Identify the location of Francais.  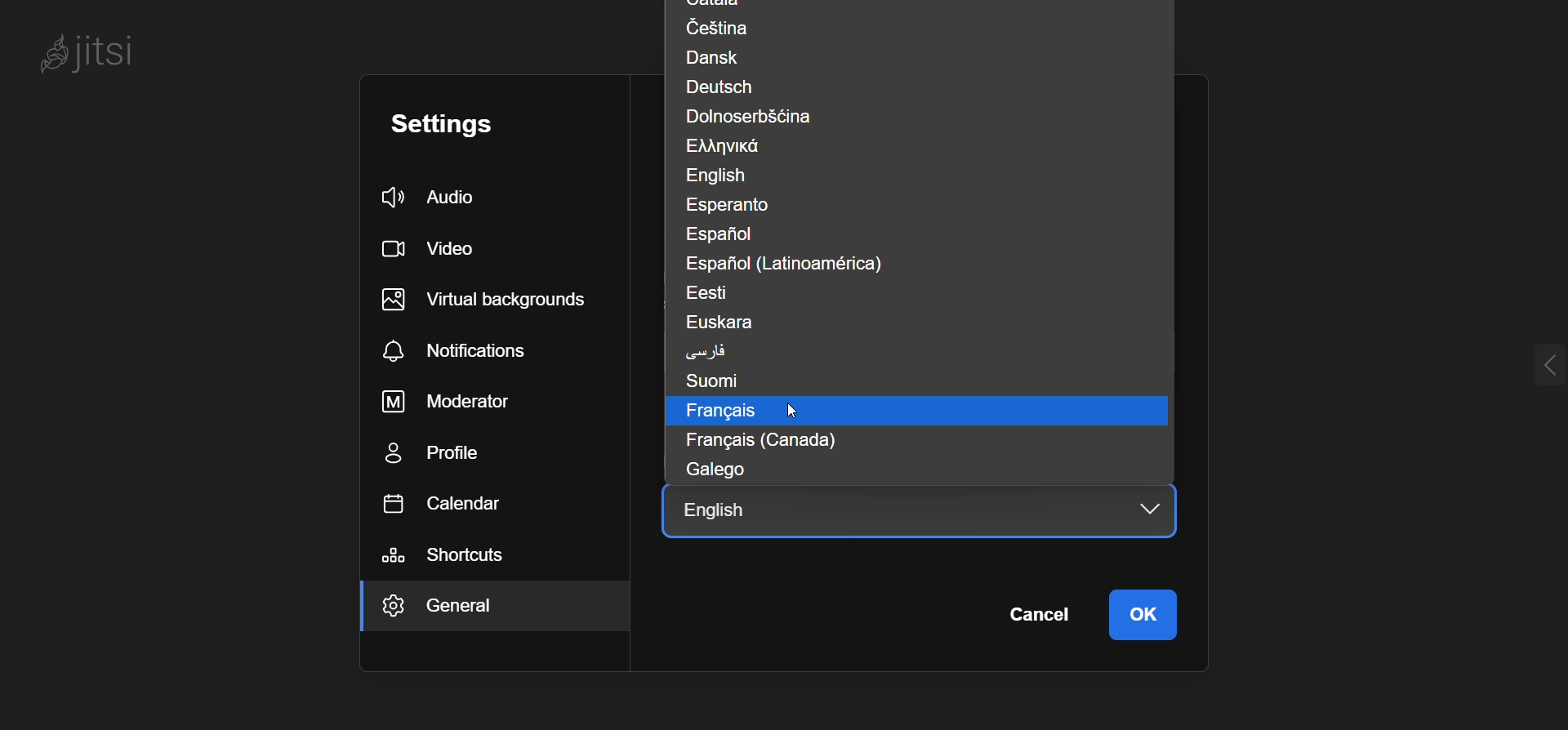
(711, 411).